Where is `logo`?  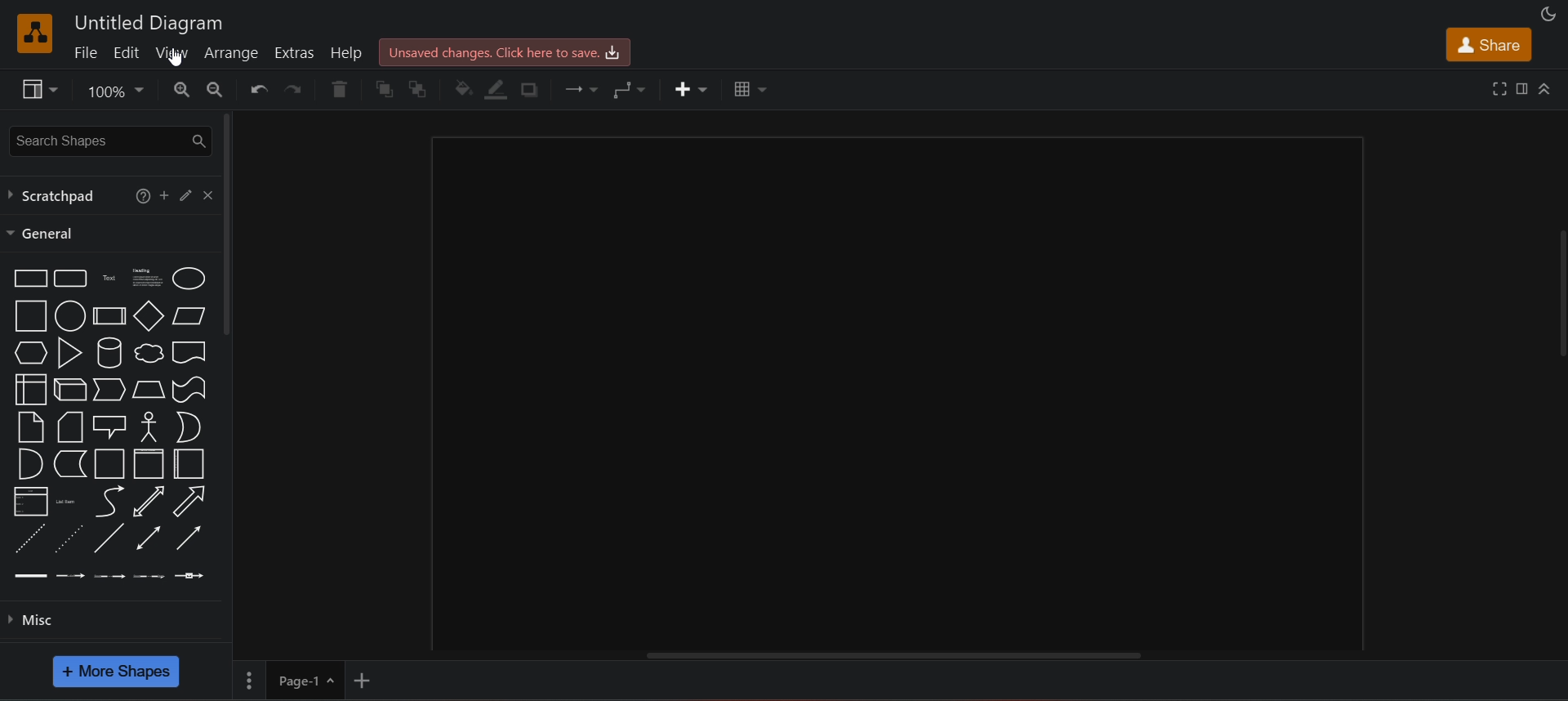 logo is located at coordinates (34, 32).